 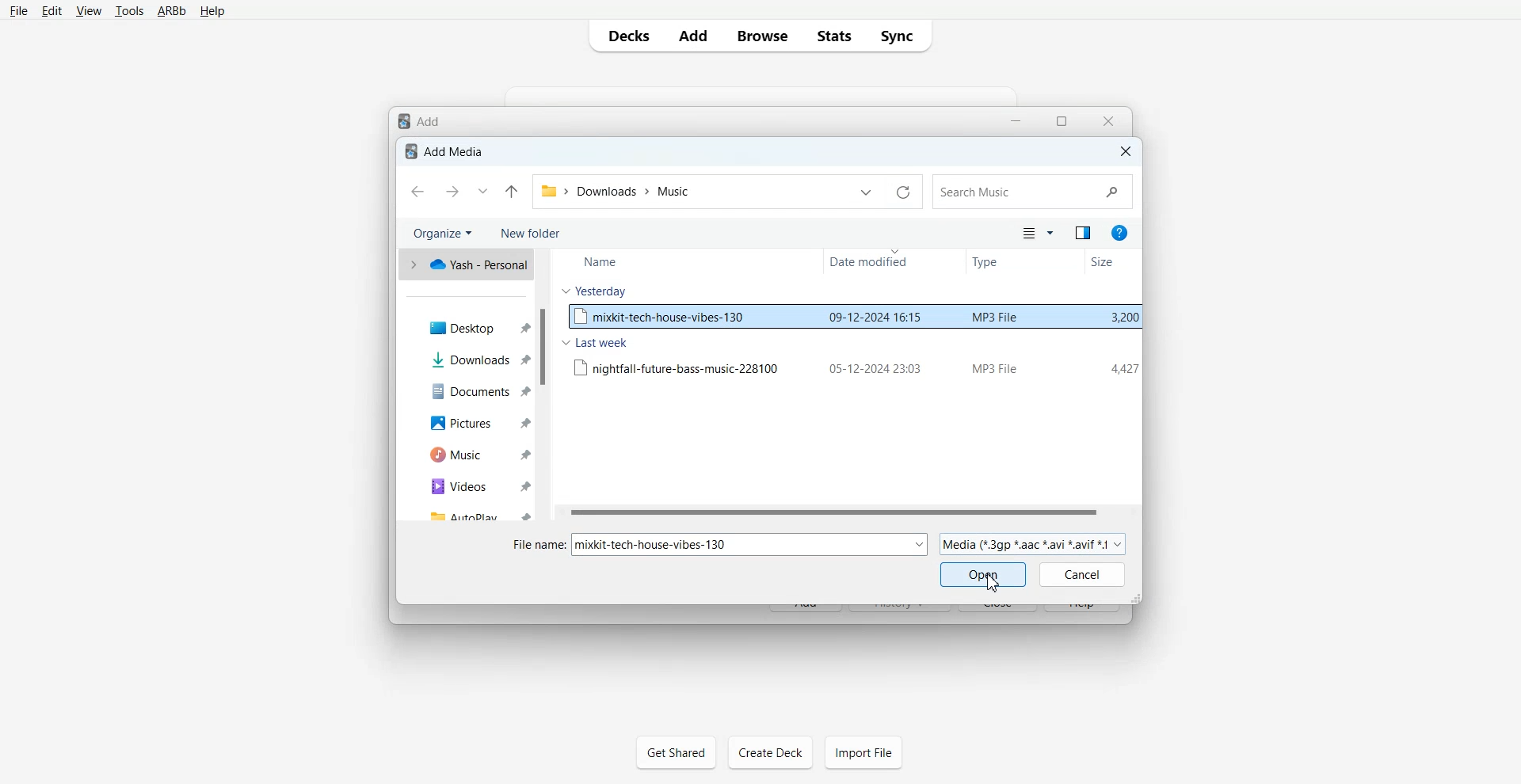 I want to click on Stats, so click(x=833, y=36).